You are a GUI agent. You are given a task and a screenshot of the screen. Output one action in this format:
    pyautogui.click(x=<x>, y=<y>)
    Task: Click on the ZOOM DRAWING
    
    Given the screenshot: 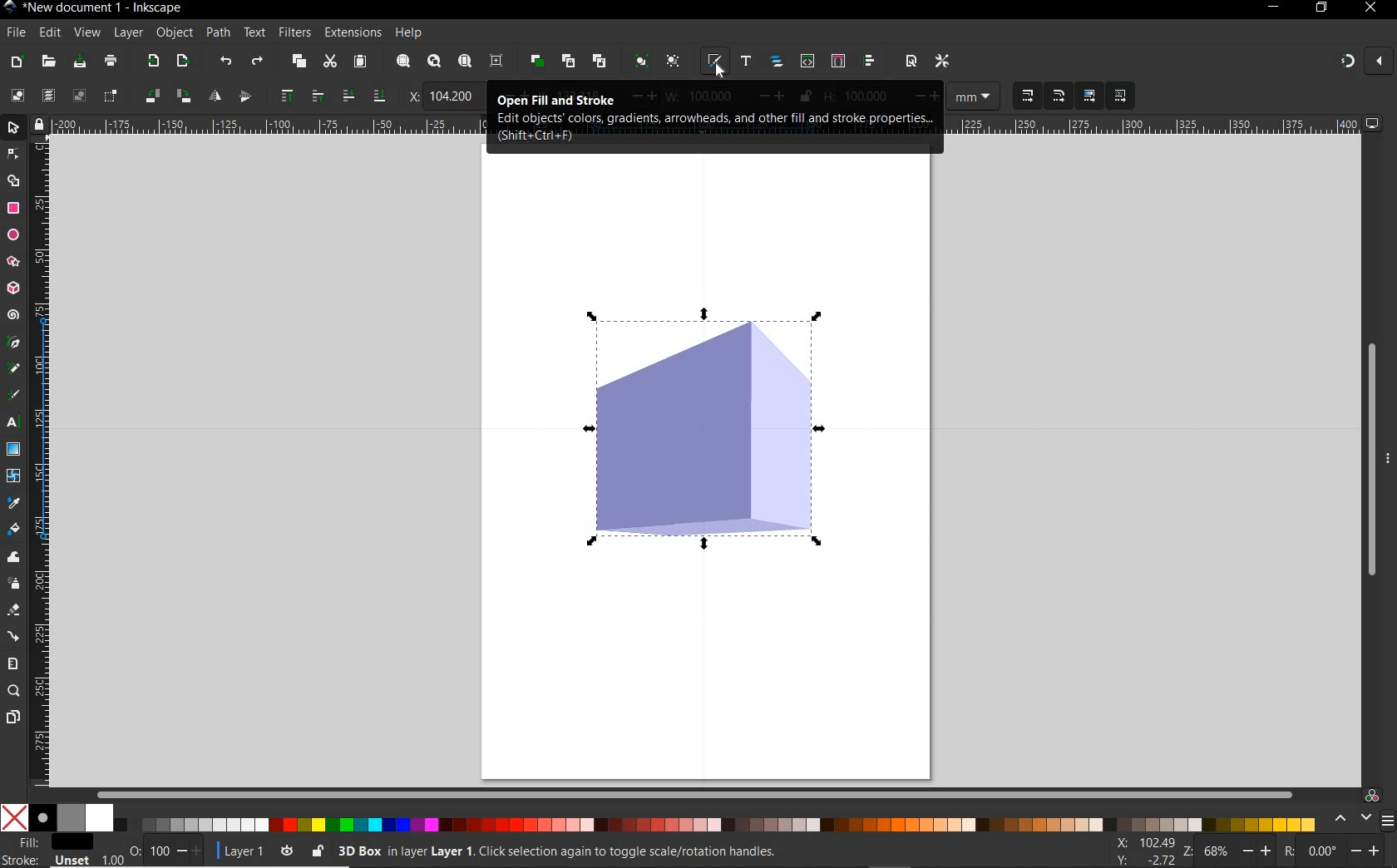 What is the action you would take?
    pyautogui.click(x=434, y=62)
    